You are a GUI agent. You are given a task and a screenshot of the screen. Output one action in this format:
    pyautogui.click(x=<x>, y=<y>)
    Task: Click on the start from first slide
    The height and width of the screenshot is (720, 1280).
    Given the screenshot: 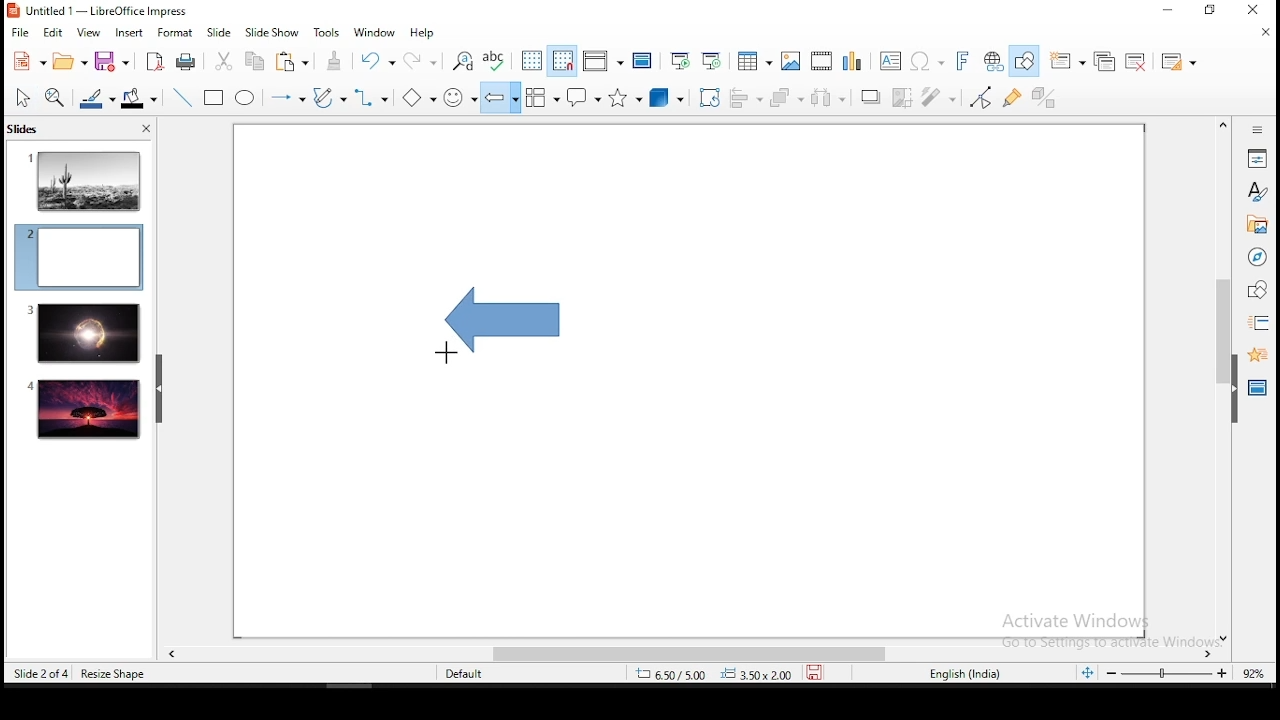 What is the action you would take?
    pyautogui.click(x=680, y=61)
    